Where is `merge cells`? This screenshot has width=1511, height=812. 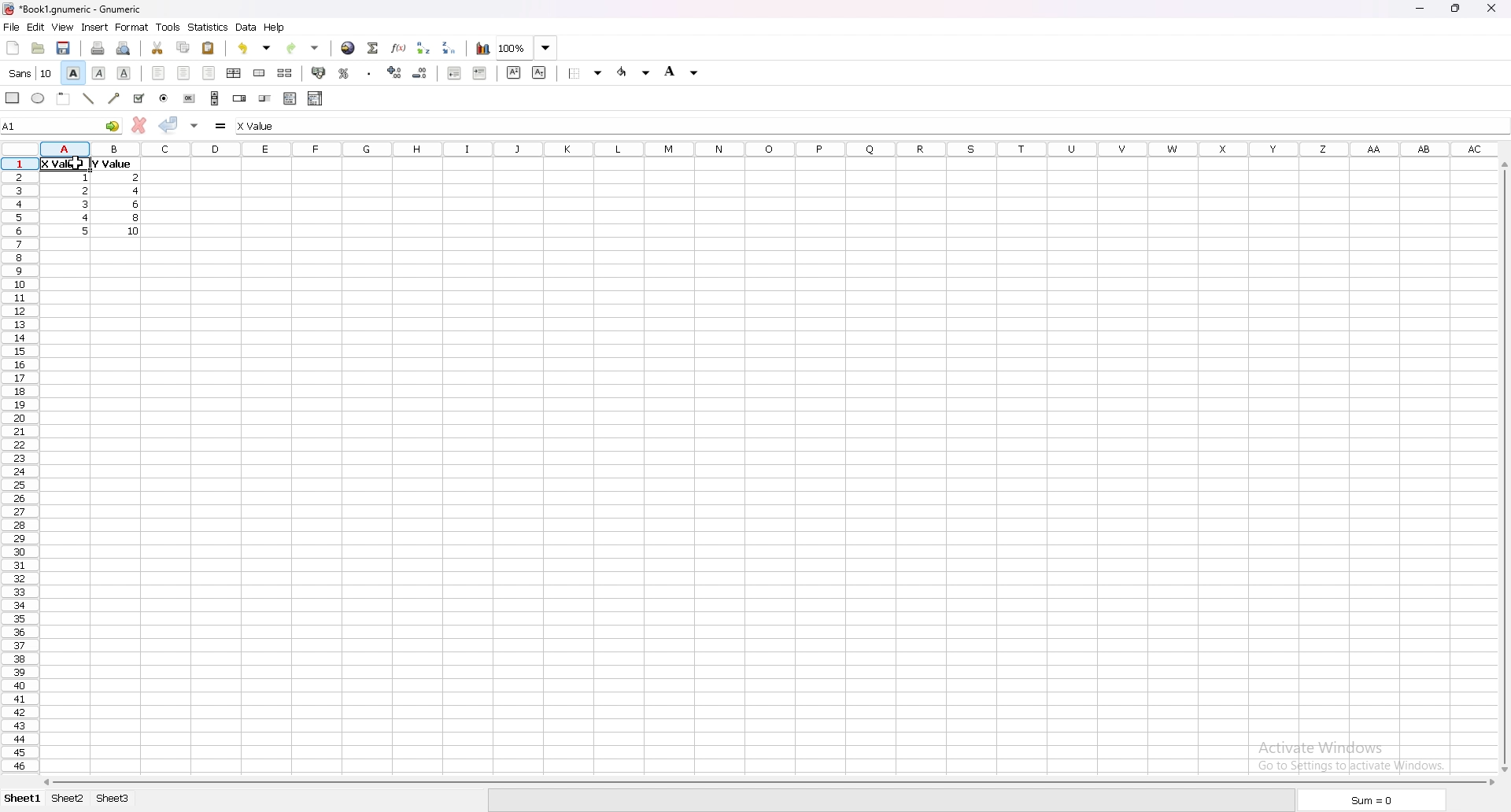 merge cells is located at coordinates (259, 73).